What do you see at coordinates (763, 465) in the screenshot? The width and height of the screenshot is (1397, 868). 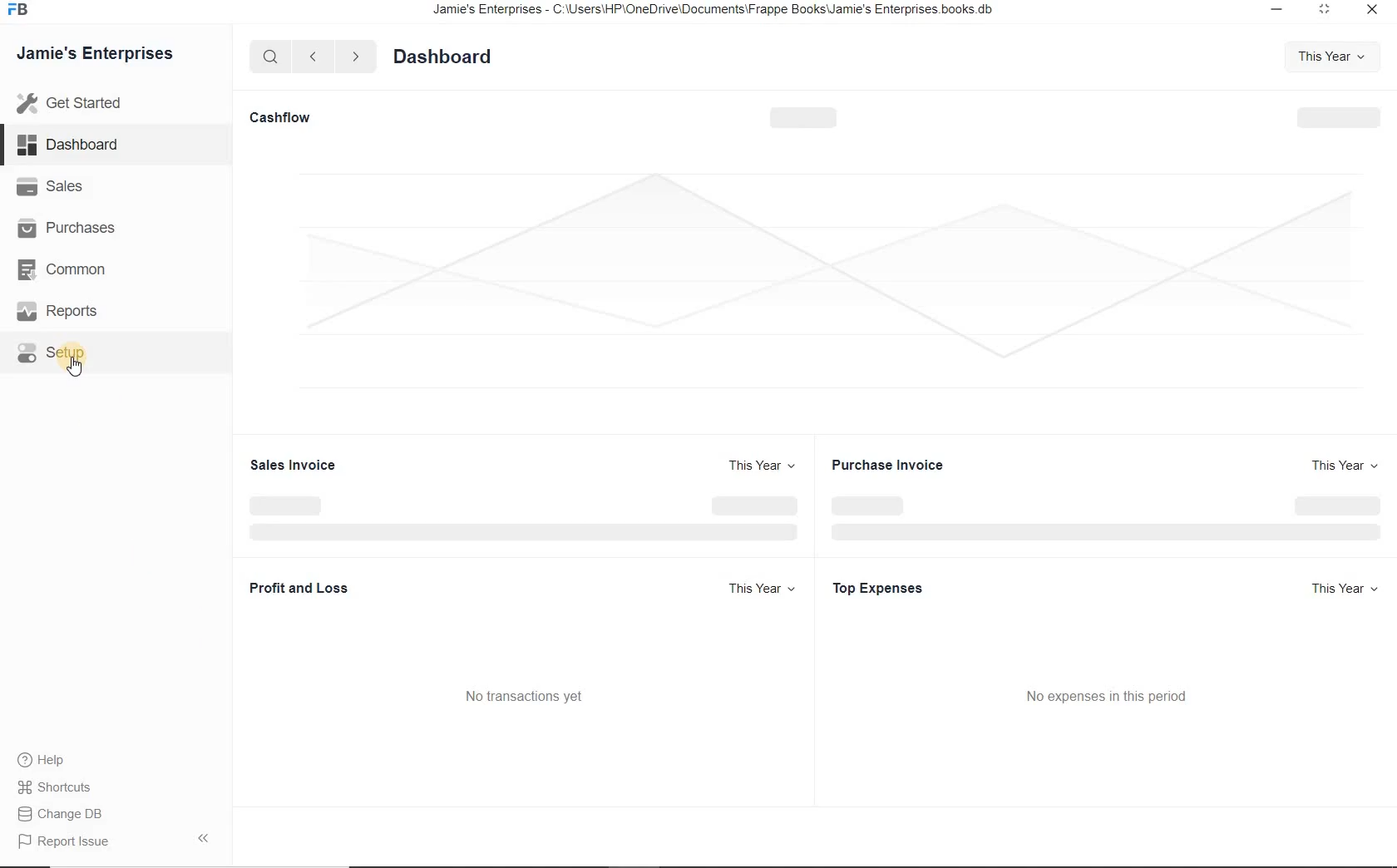 I see `This Year ` at bounding box center [763, 465].